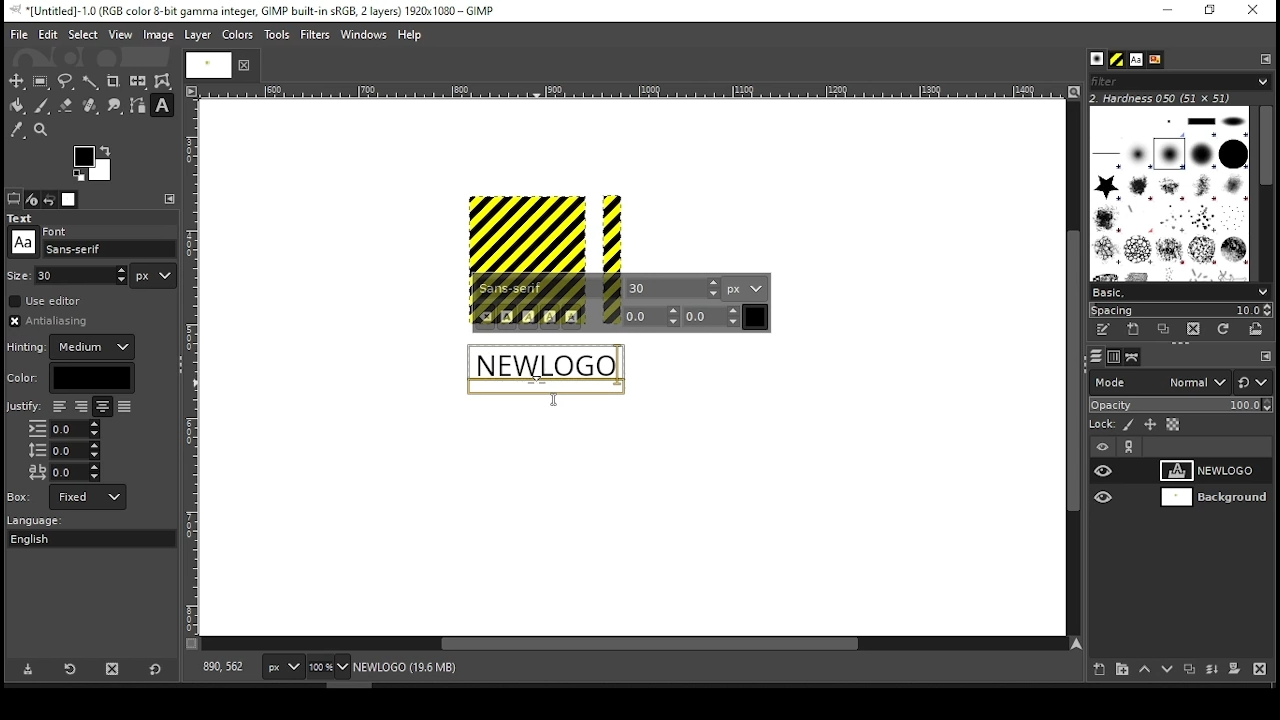  Describe the element at coordinates (1196, 330) in the screenshot. I see `delete brush` at that location.